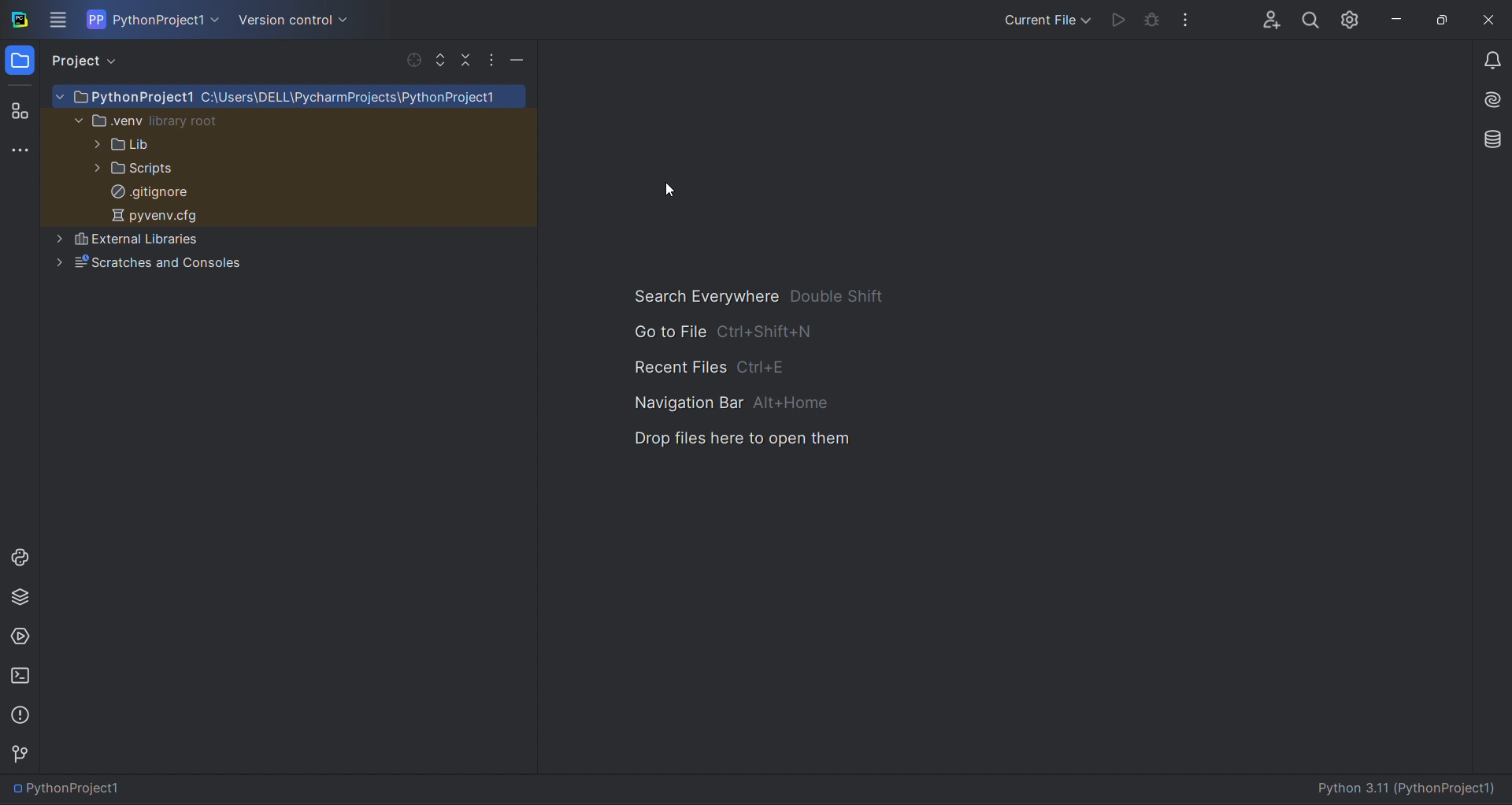  Describe the element at coordinates (672, 189) in the screenshot. I see `cursor` at that location.